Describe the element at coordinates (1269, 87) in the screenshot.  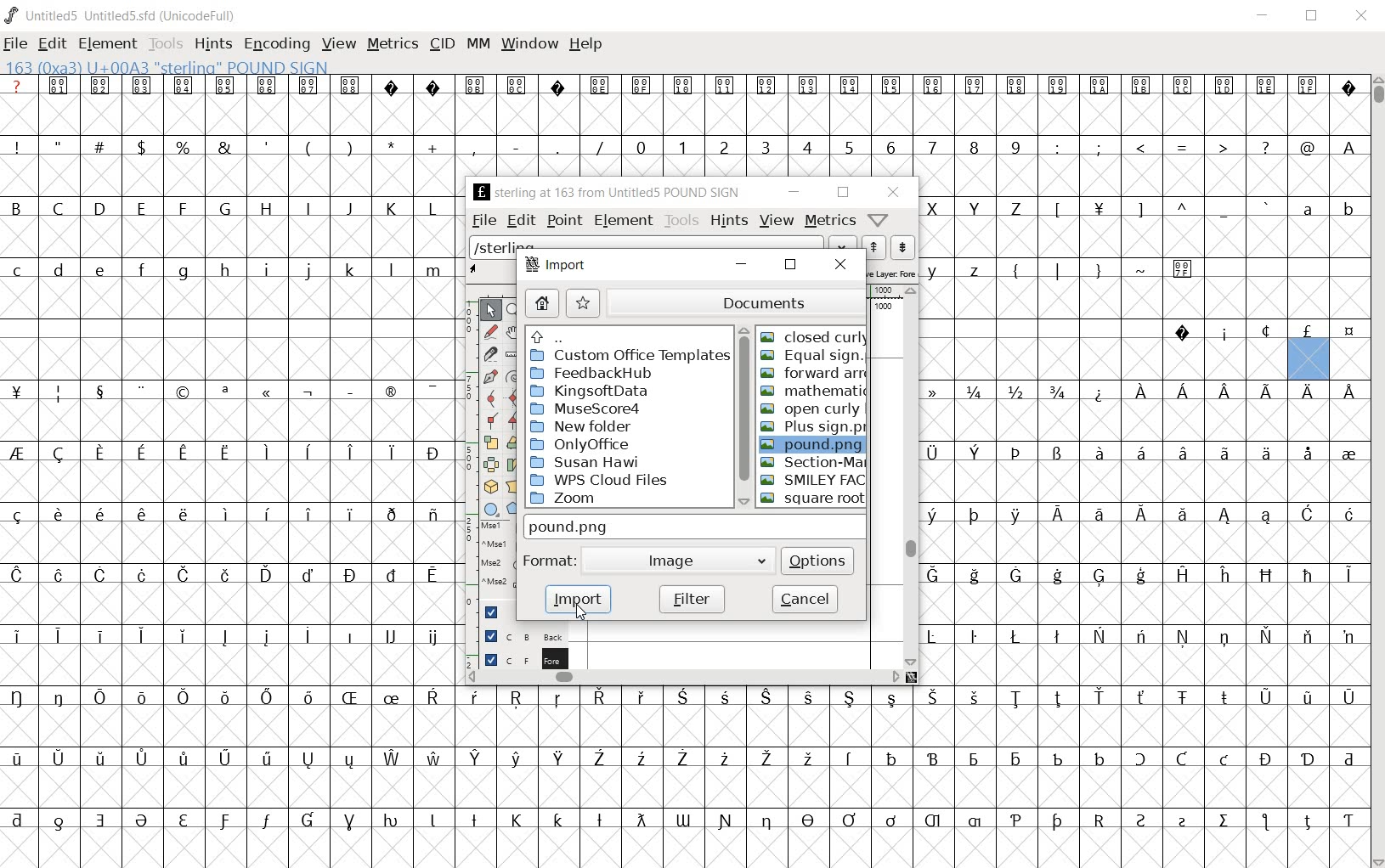
I see `Symbol` at that location.